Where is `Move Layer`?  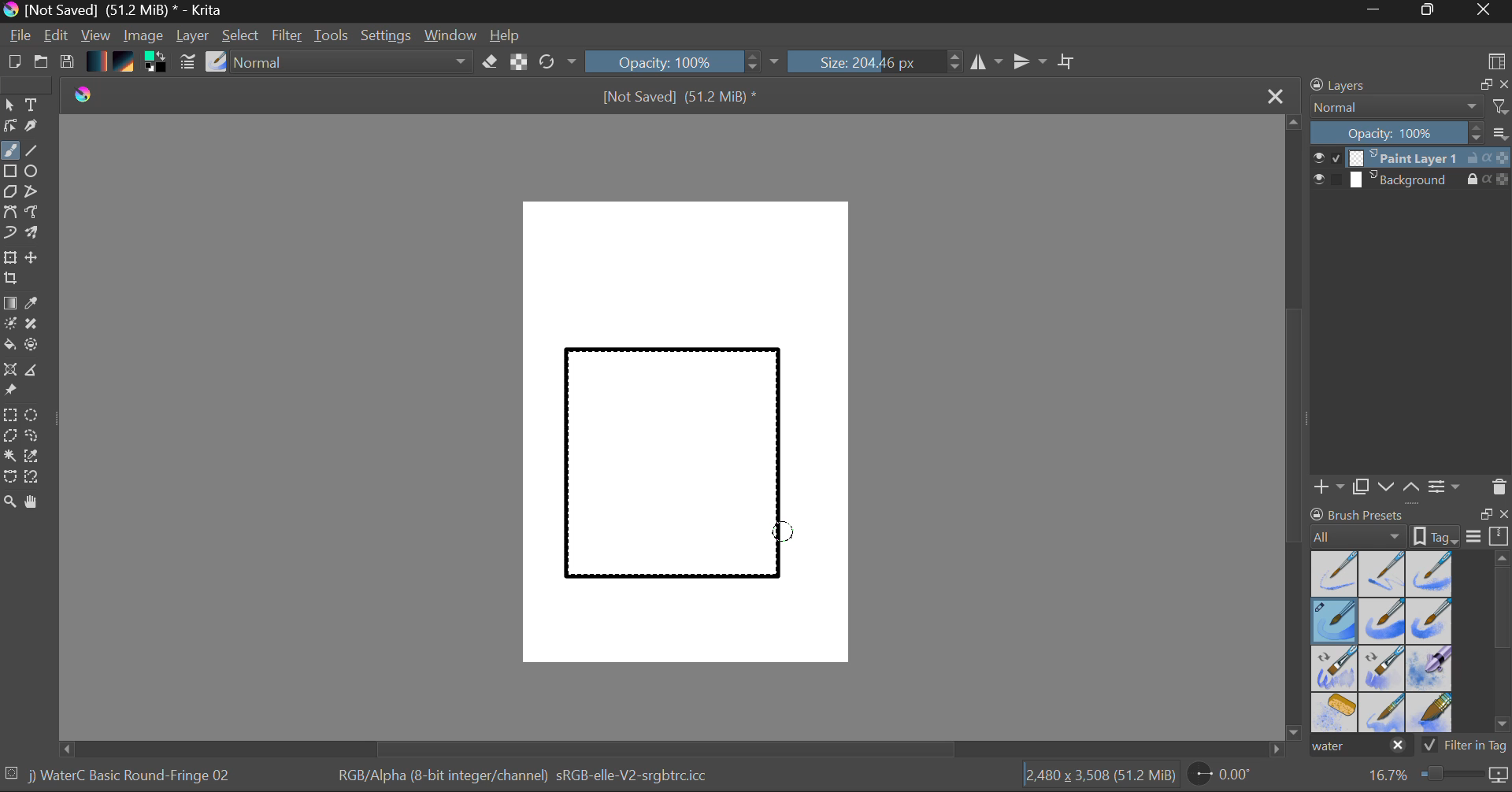 Move Layer is located at coordinates (33, 257).